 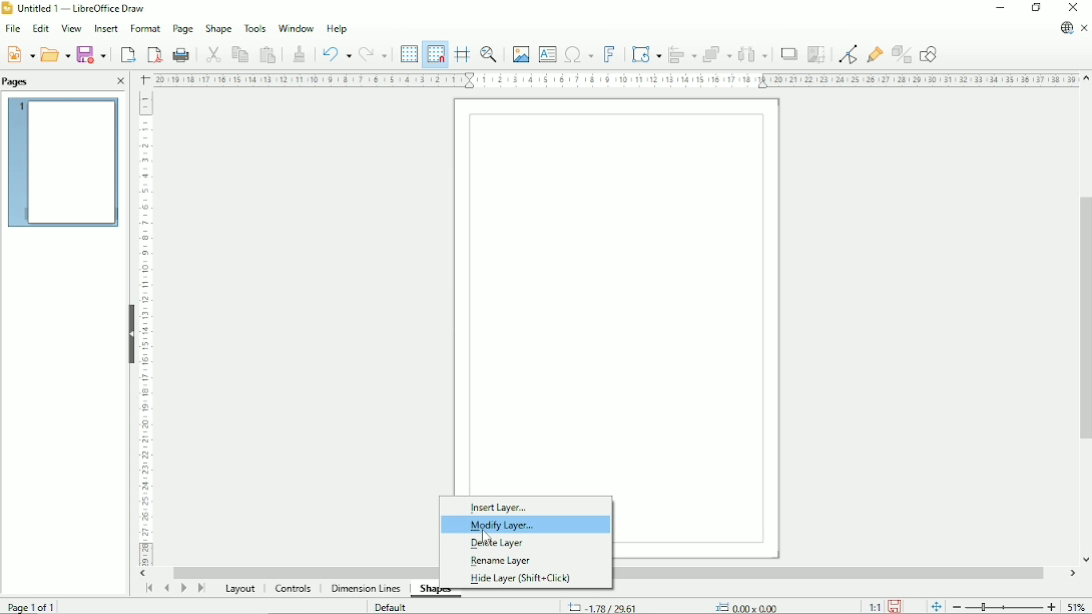 I want to click on Export directly as PDF, so click(x=154, y=54).